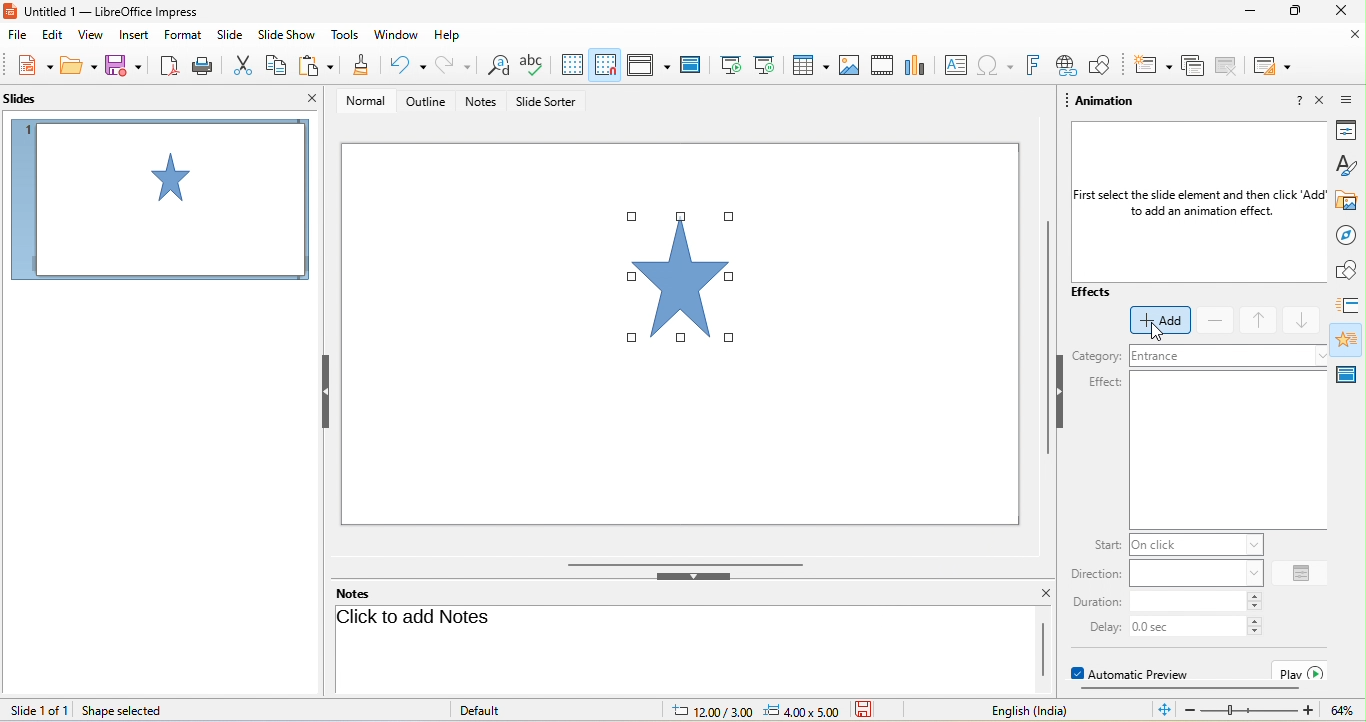  I want to click on close notes, so click(1046, 594).